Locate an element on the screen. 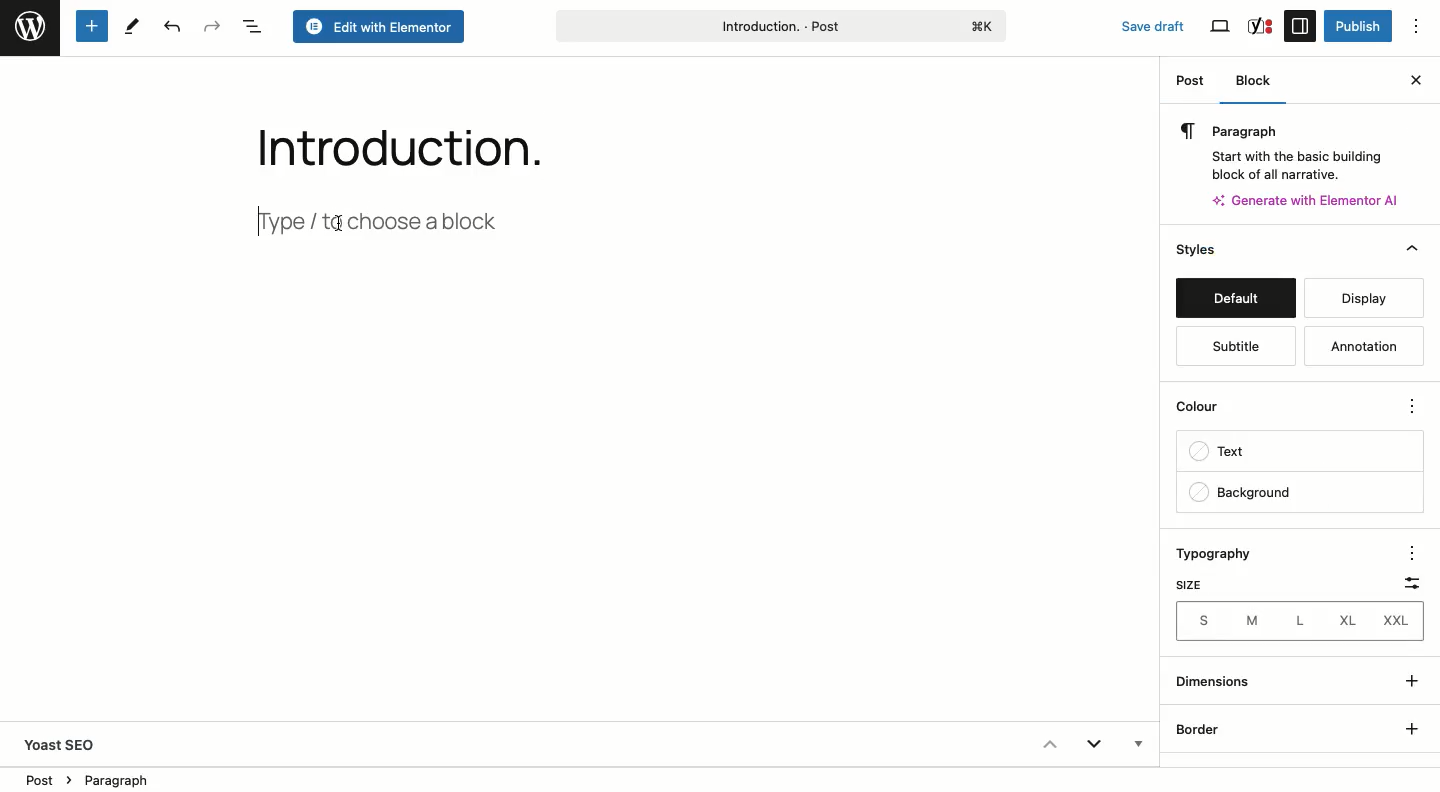 Image resolution: width=1440 pixels, height=792 pixels. Publish is located at coordinates (1356, 26).